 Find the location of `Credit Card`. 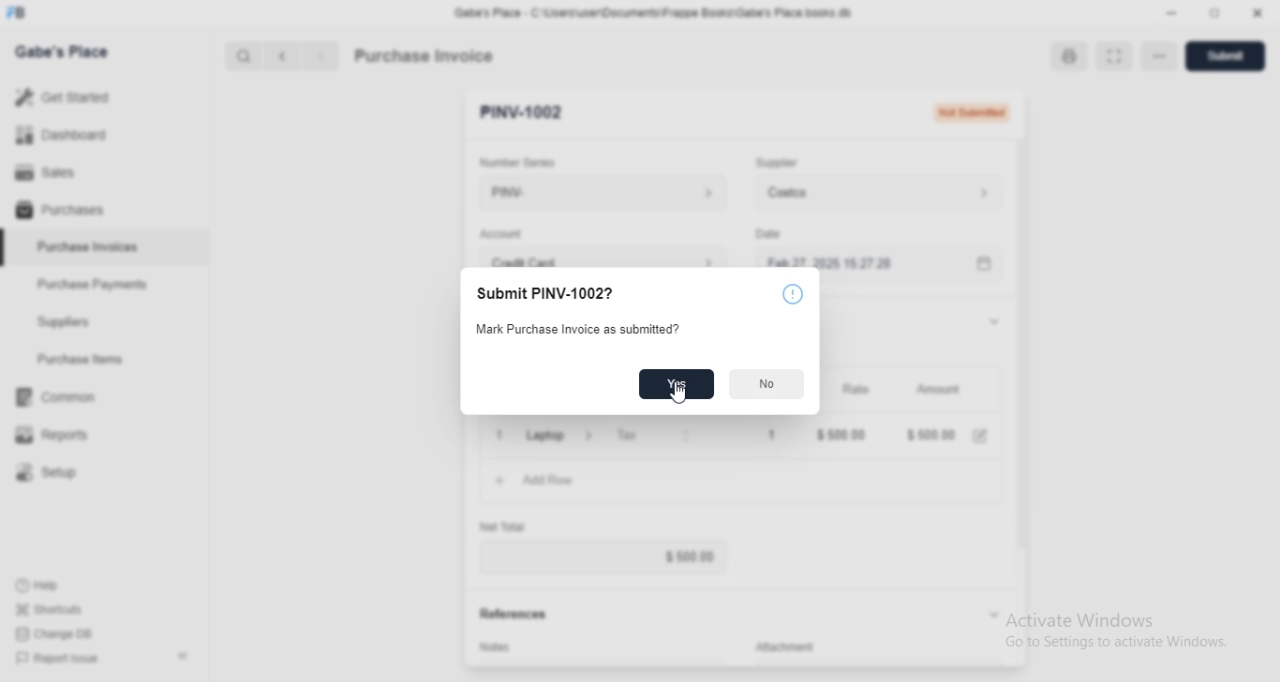

Credit Card is located at coordinates (603, 256).